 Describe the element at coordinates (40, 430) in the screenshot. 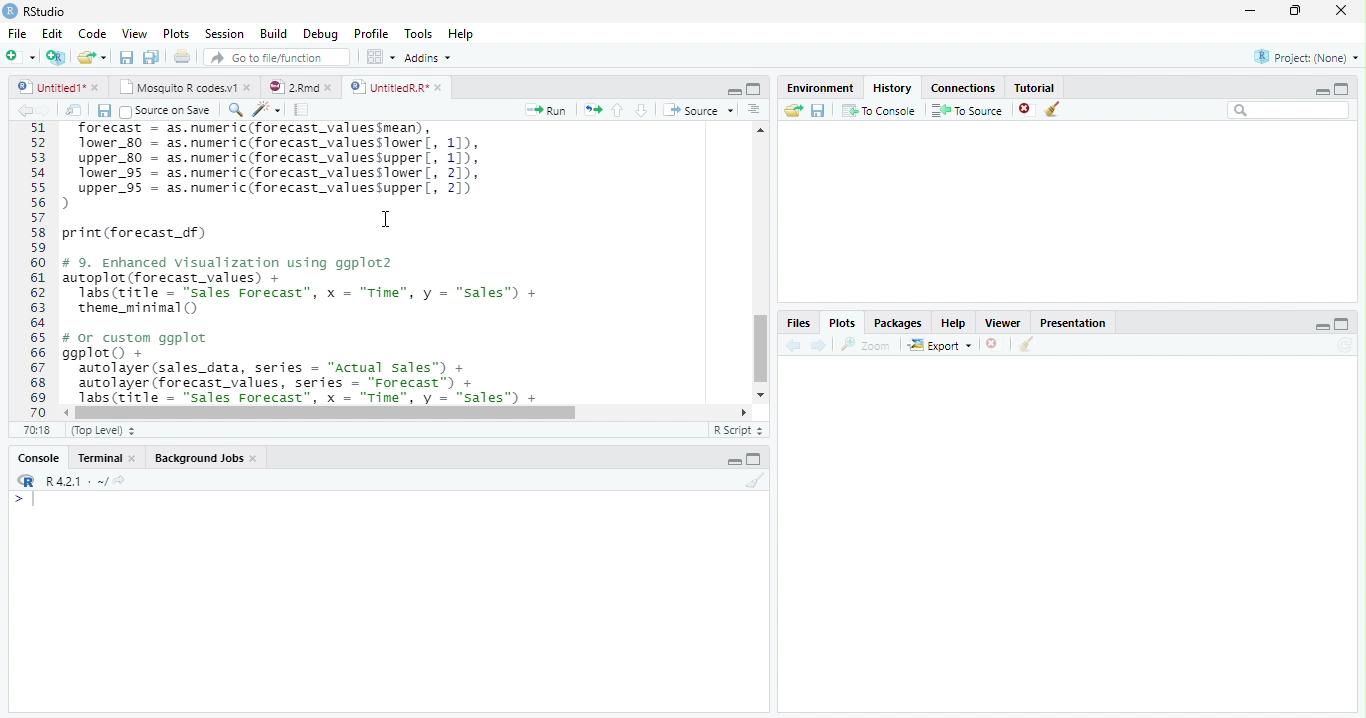

I see `1:1` at that location.